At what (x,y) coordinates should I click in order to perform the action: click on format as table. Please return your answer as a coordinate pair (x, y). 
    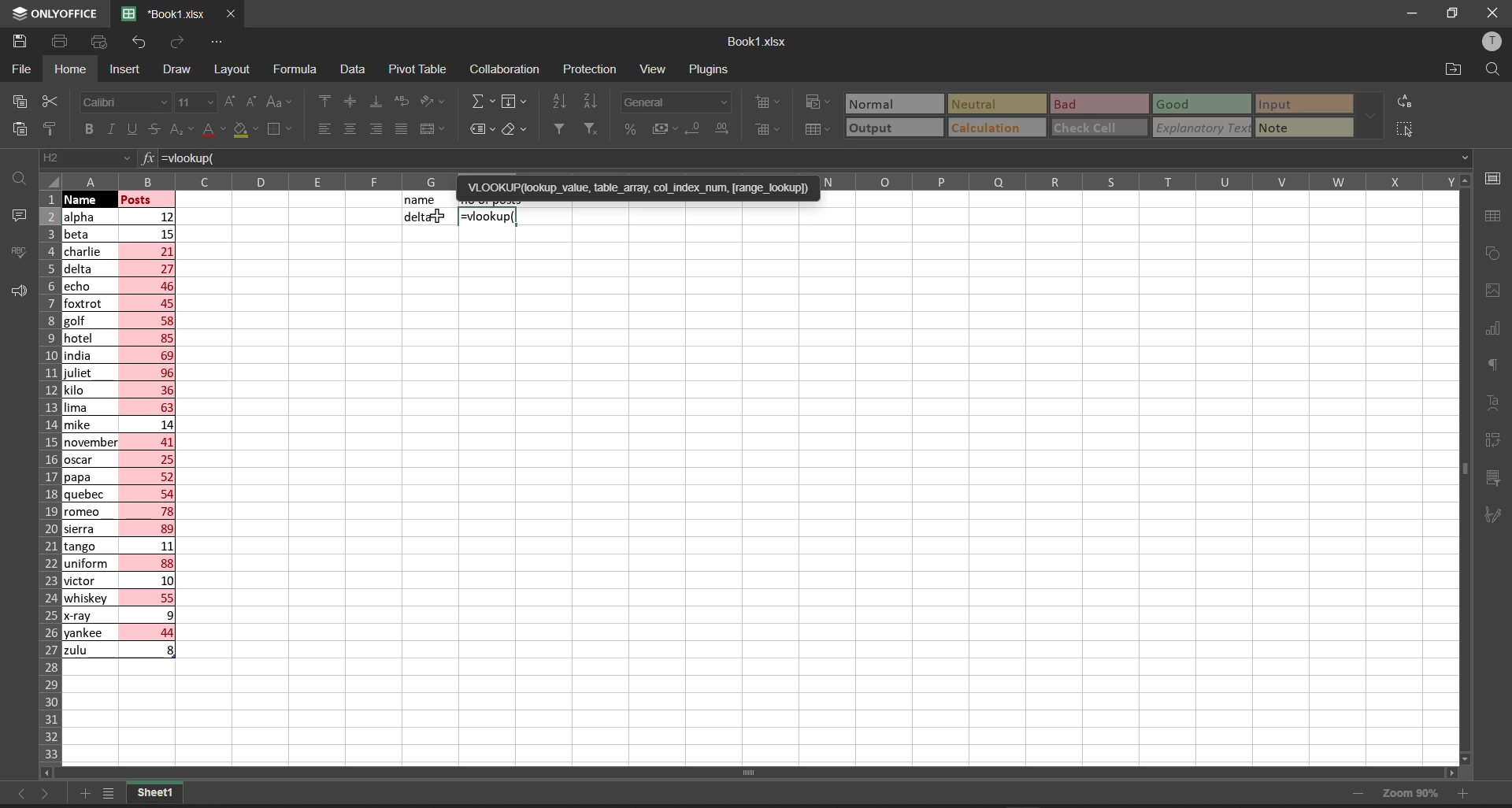
    Looking at the image, I should click on (817, 129).